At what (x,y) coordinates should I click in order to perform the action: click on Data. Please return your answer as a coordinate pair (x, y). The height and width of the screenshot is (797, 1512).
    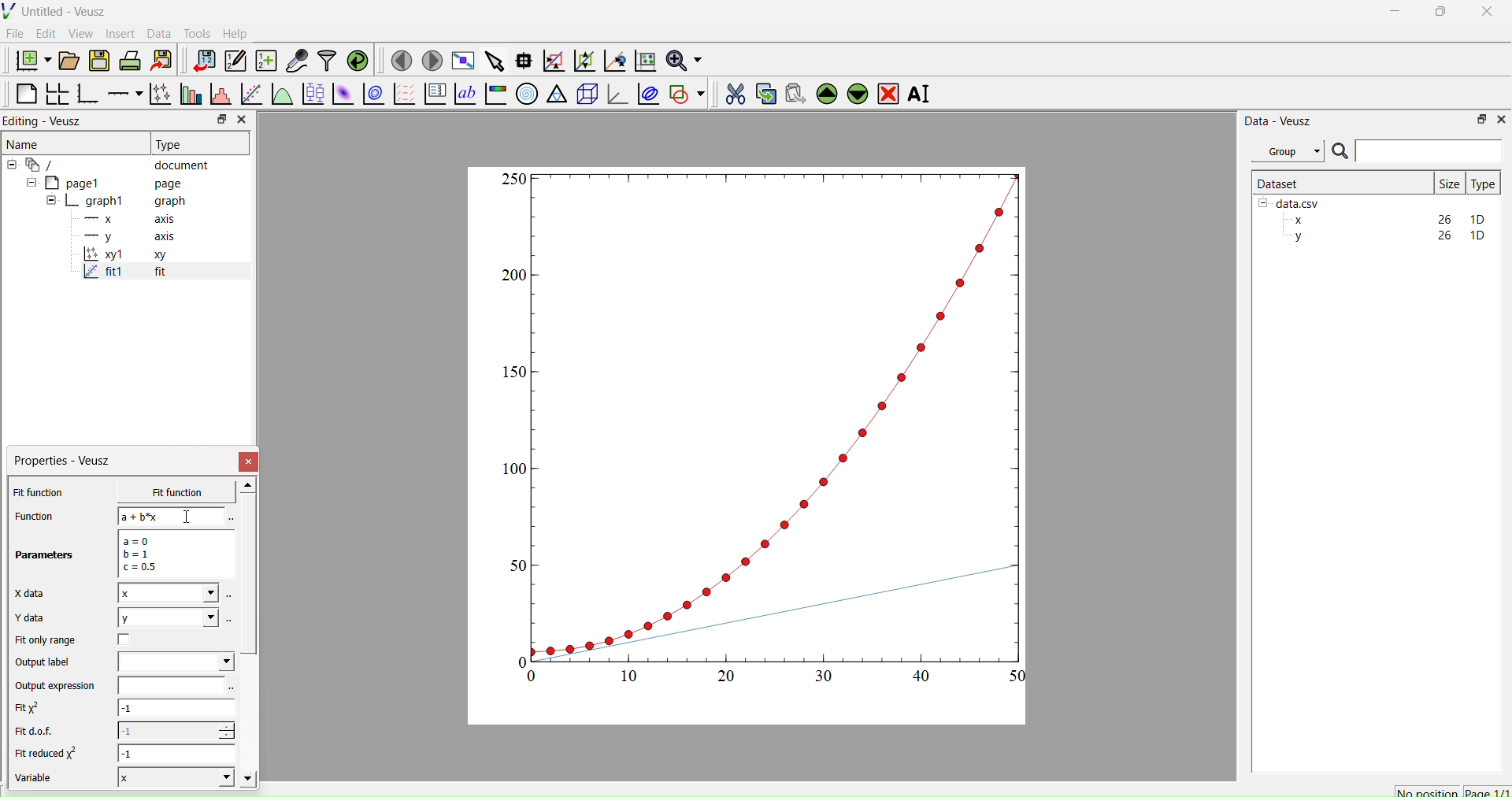
    Looking at the image, I should click on (158, 34).